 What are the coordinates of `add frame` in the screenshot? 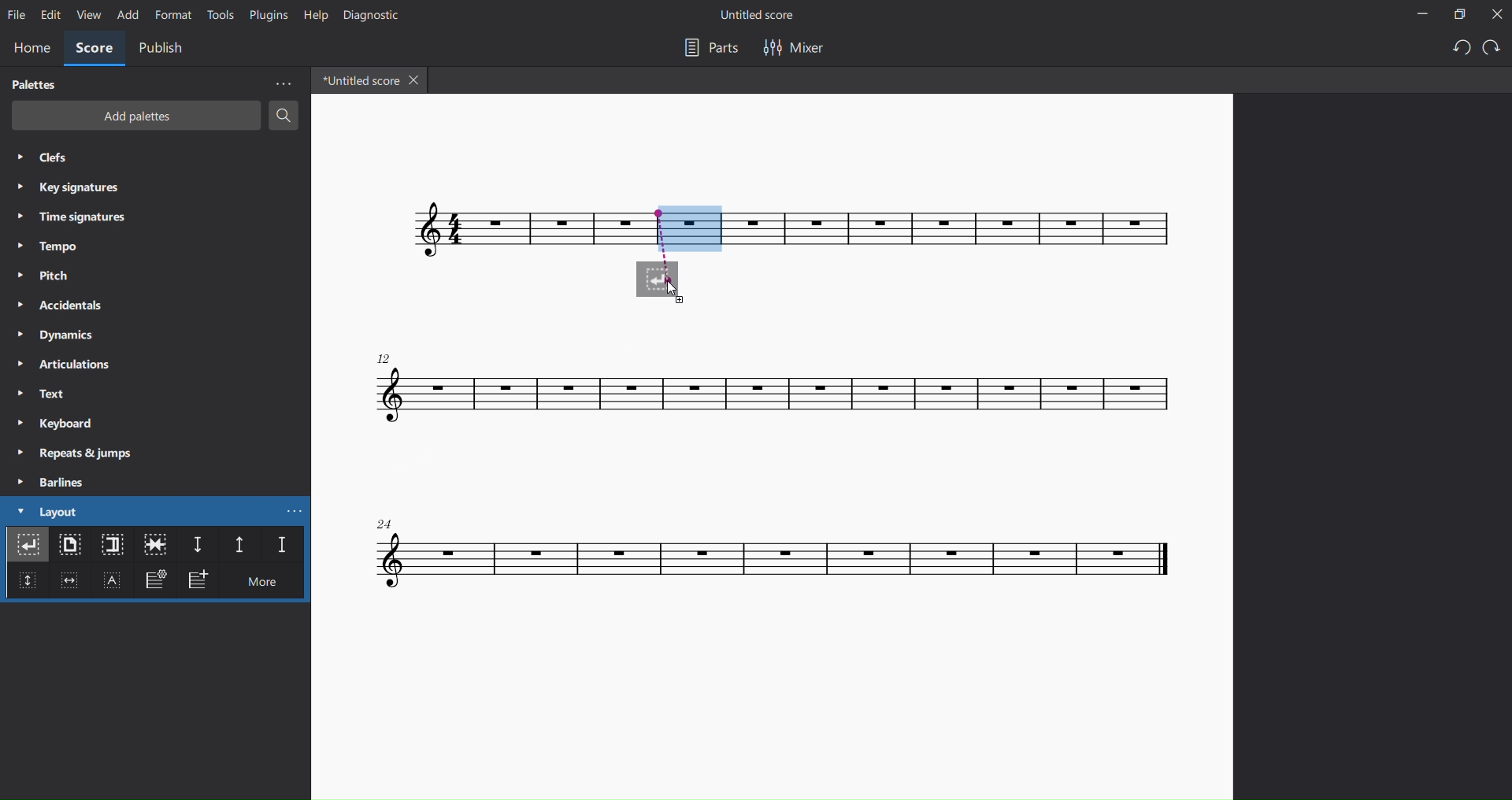 It's located at (202, 581).